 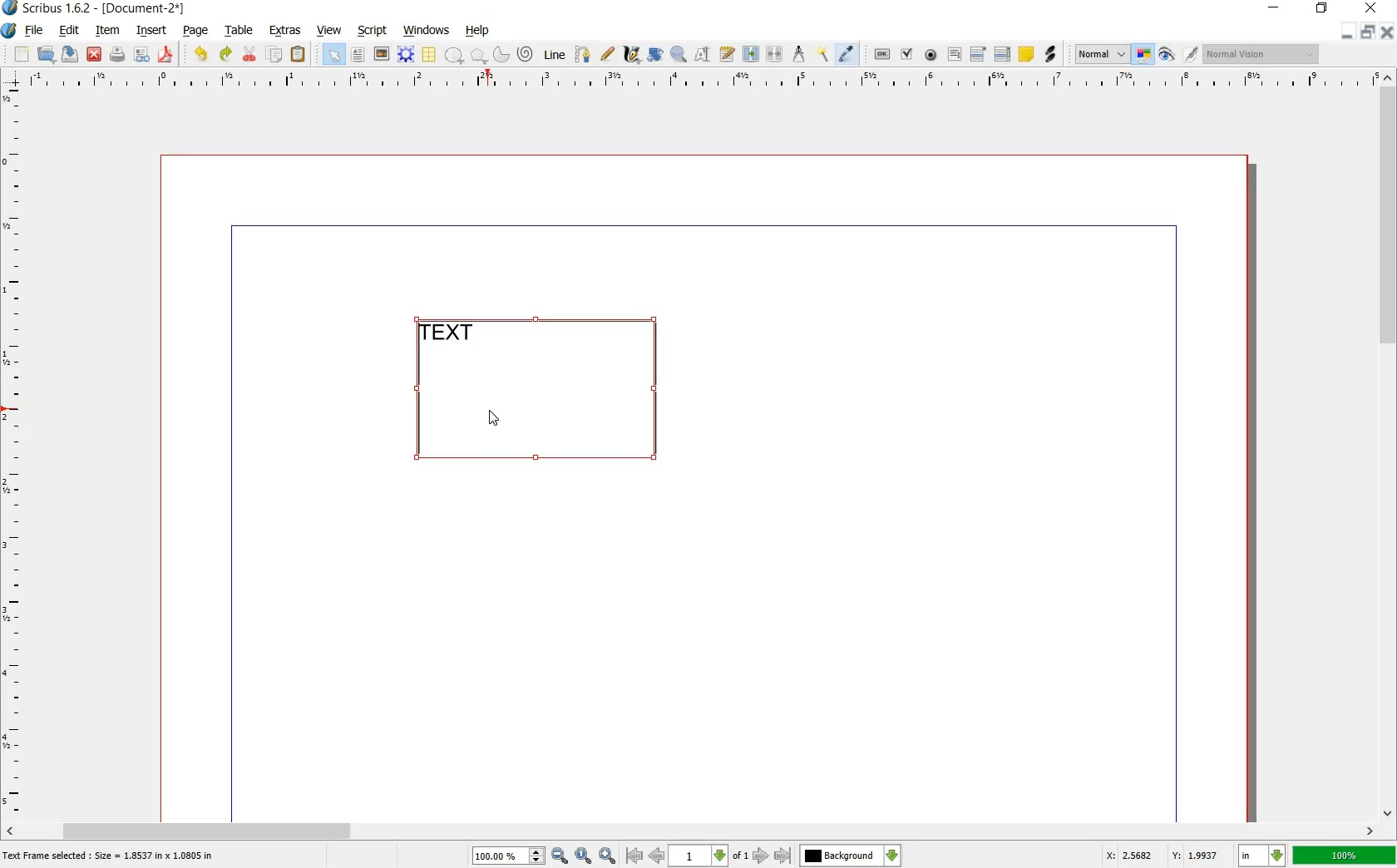 I want to click on 1, so click(x=697, y=856).